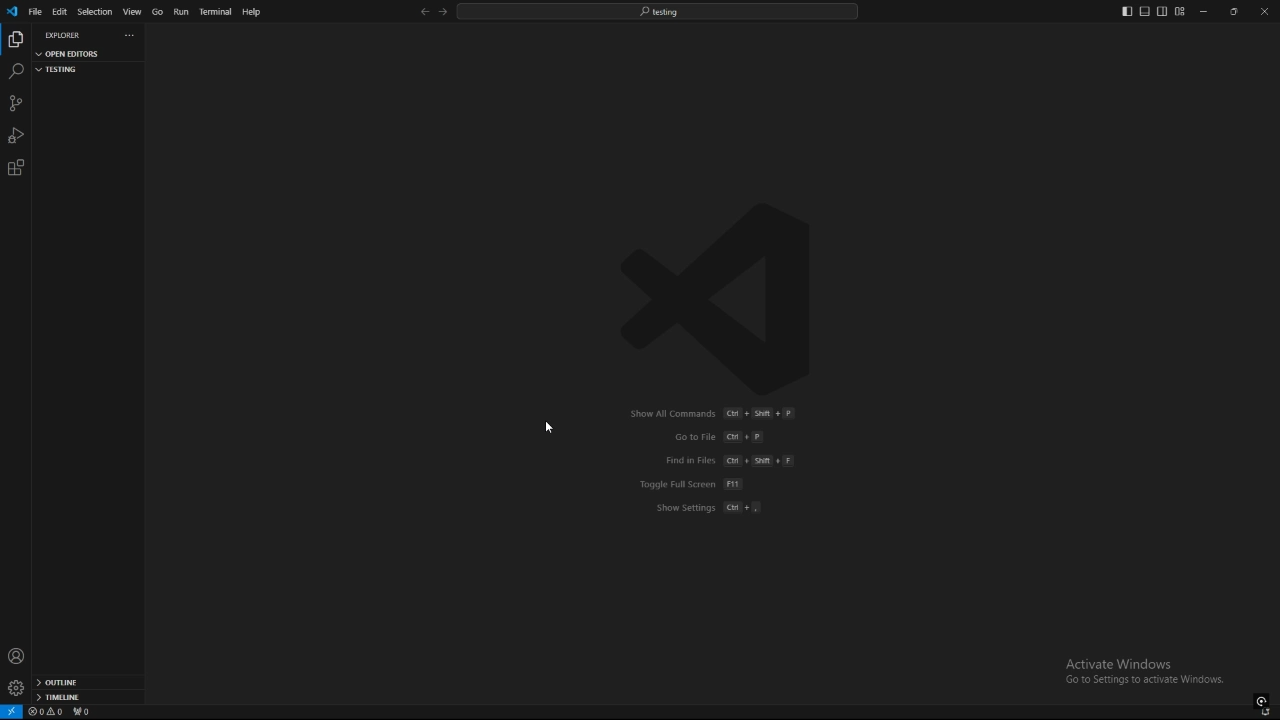 The width and height of the screenshot is (1280, 720). Describe the element at coordinates (735, 462) in the screenshot. I see `FIND IN FILES CTRL + SHIFT +F` at that location.